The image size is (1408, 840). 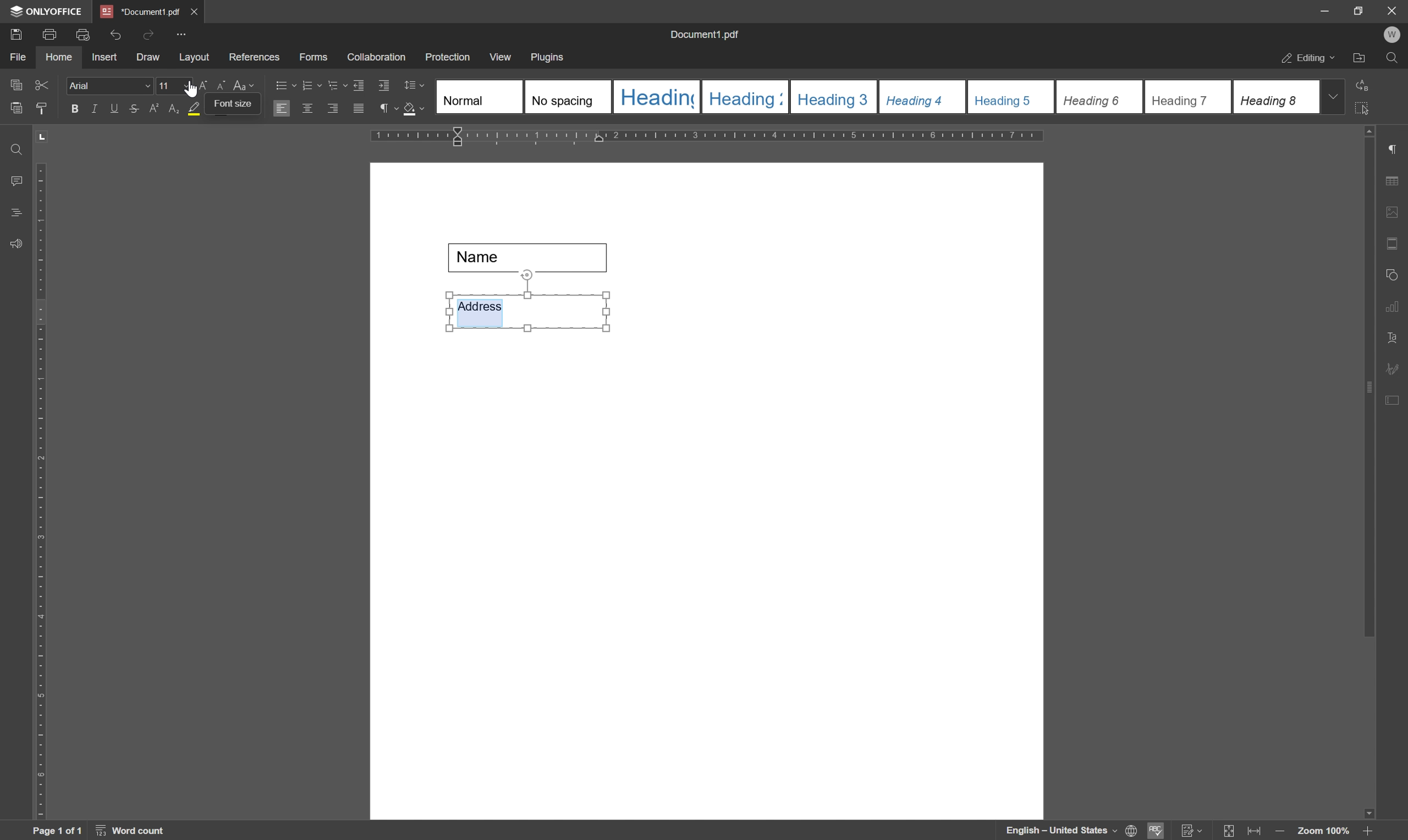 I want to click on comments, so click(x=14, y=181).